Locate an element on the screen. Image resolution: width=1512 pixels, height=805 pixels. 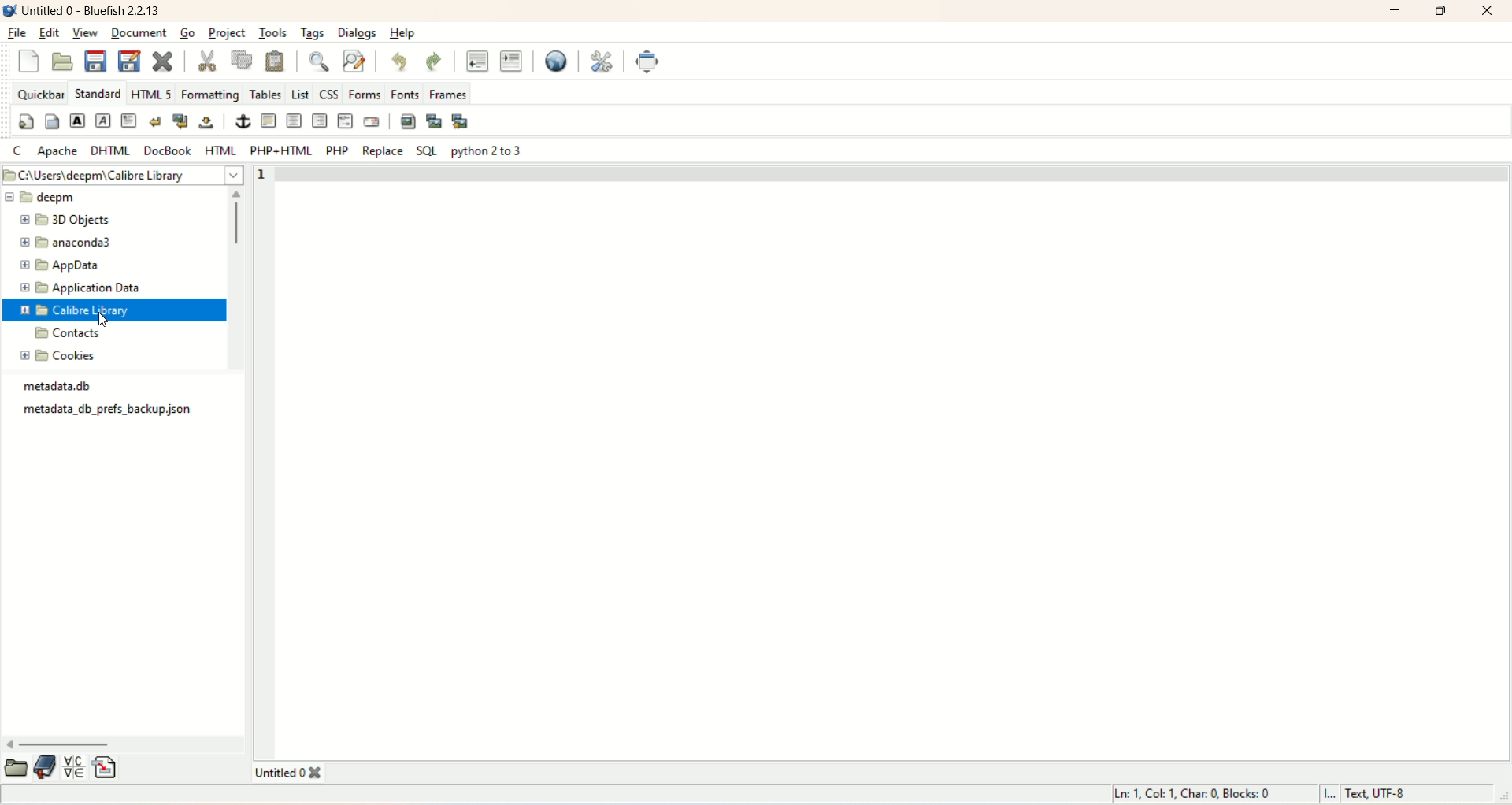
anaconda3 is located at coordinates (65, 242).